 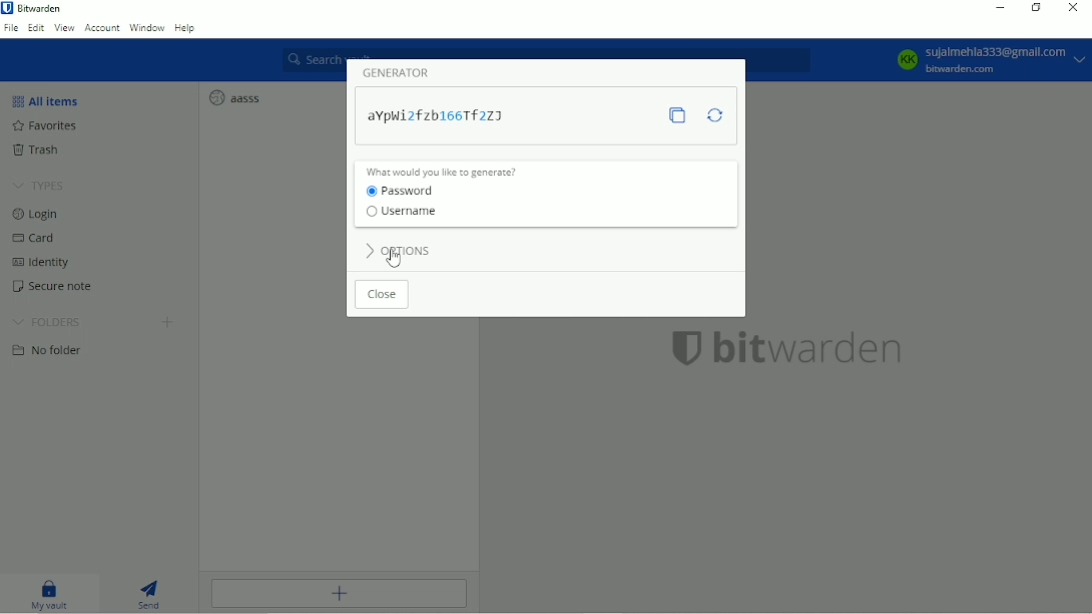 What do you see at coordinates (64, 29) in the screenshot?
I see `View` at bounding box center [64, 29].